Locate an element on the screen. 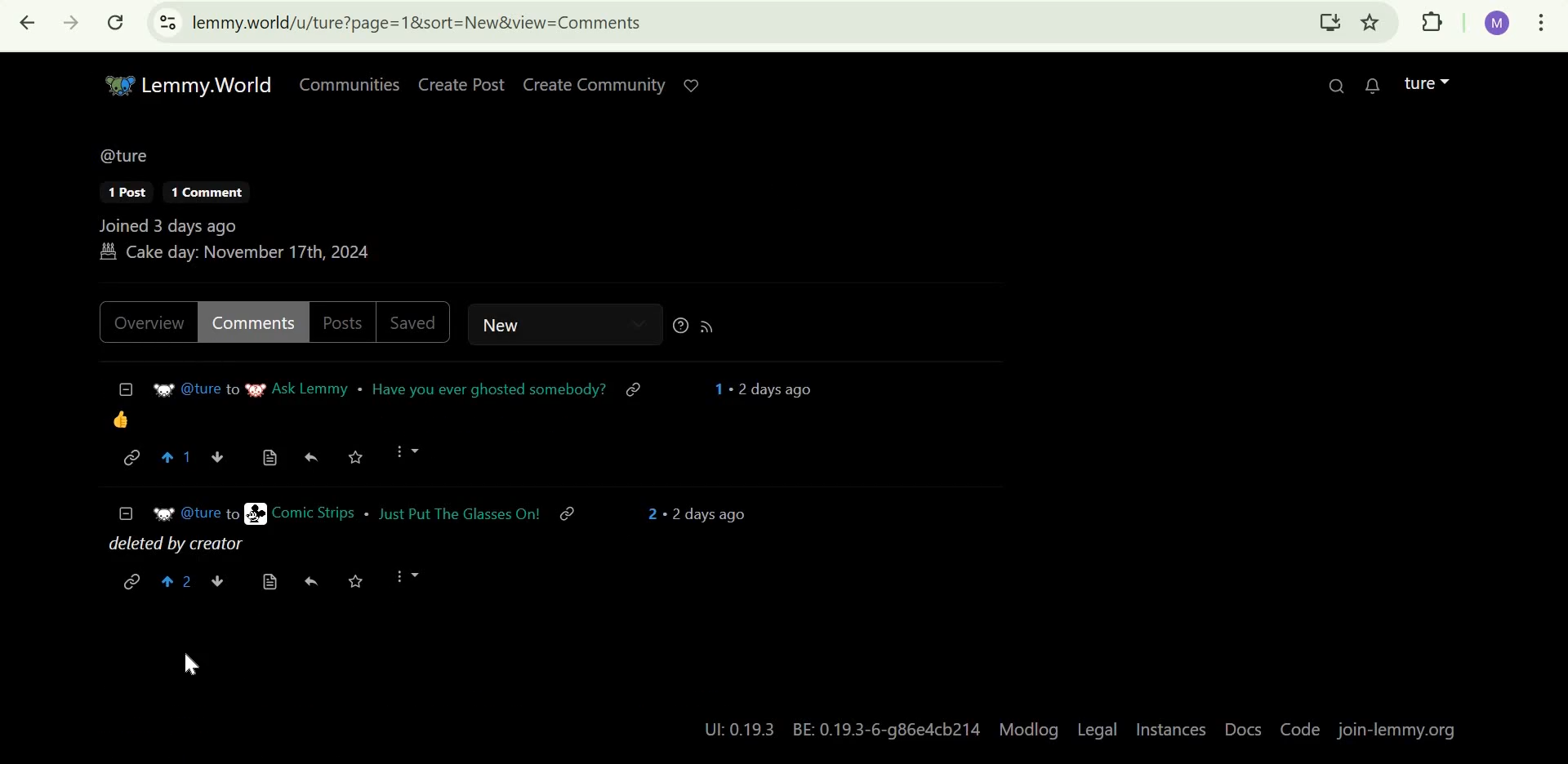  comments is located at coordinates (253, 322).